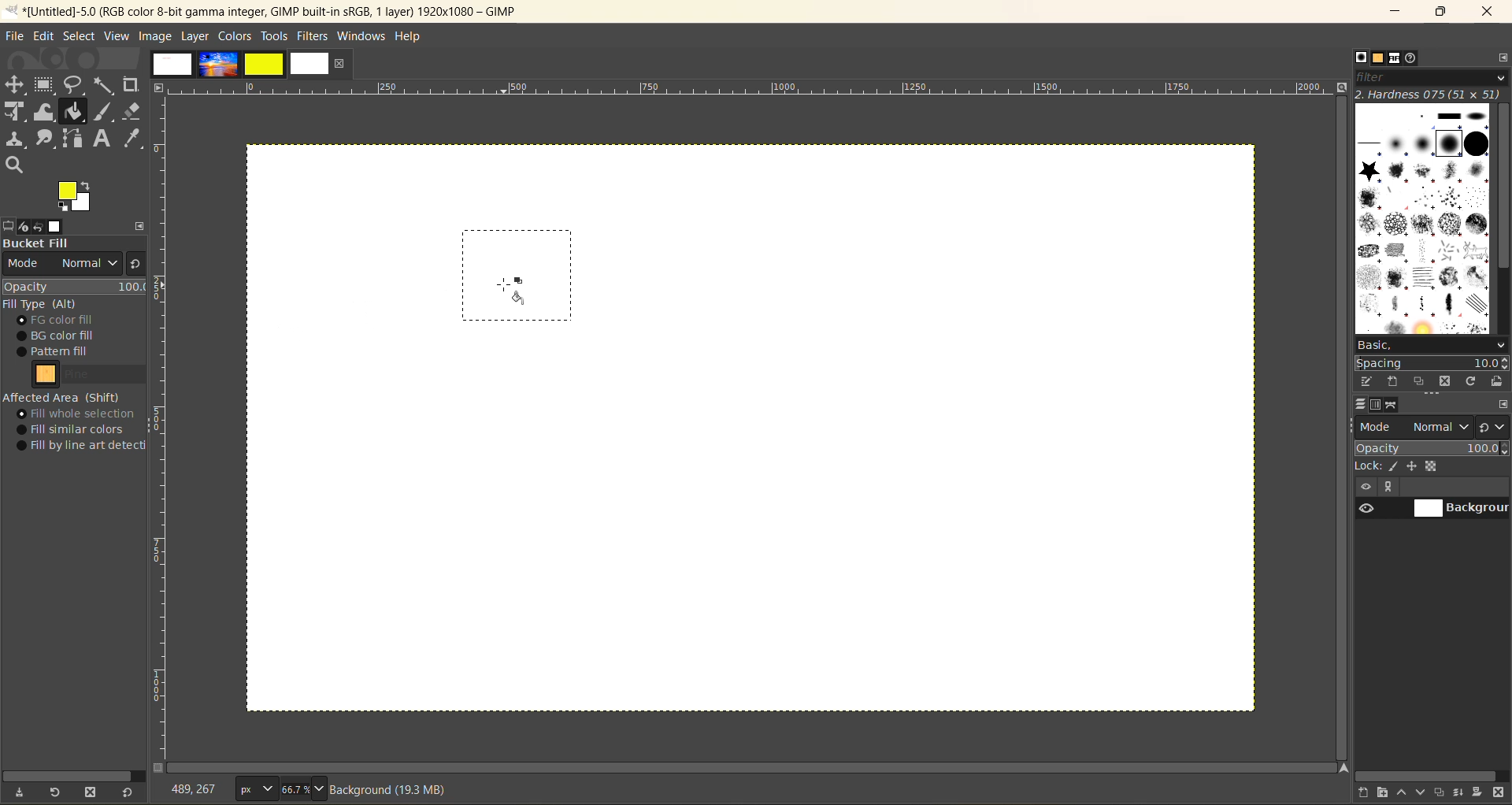 Image resolution: width=1512 pixels, height=805 pixels. Describe the element at coordinates (1442, 791) in the screenshot. I see `create a duplicate layer` at that location.